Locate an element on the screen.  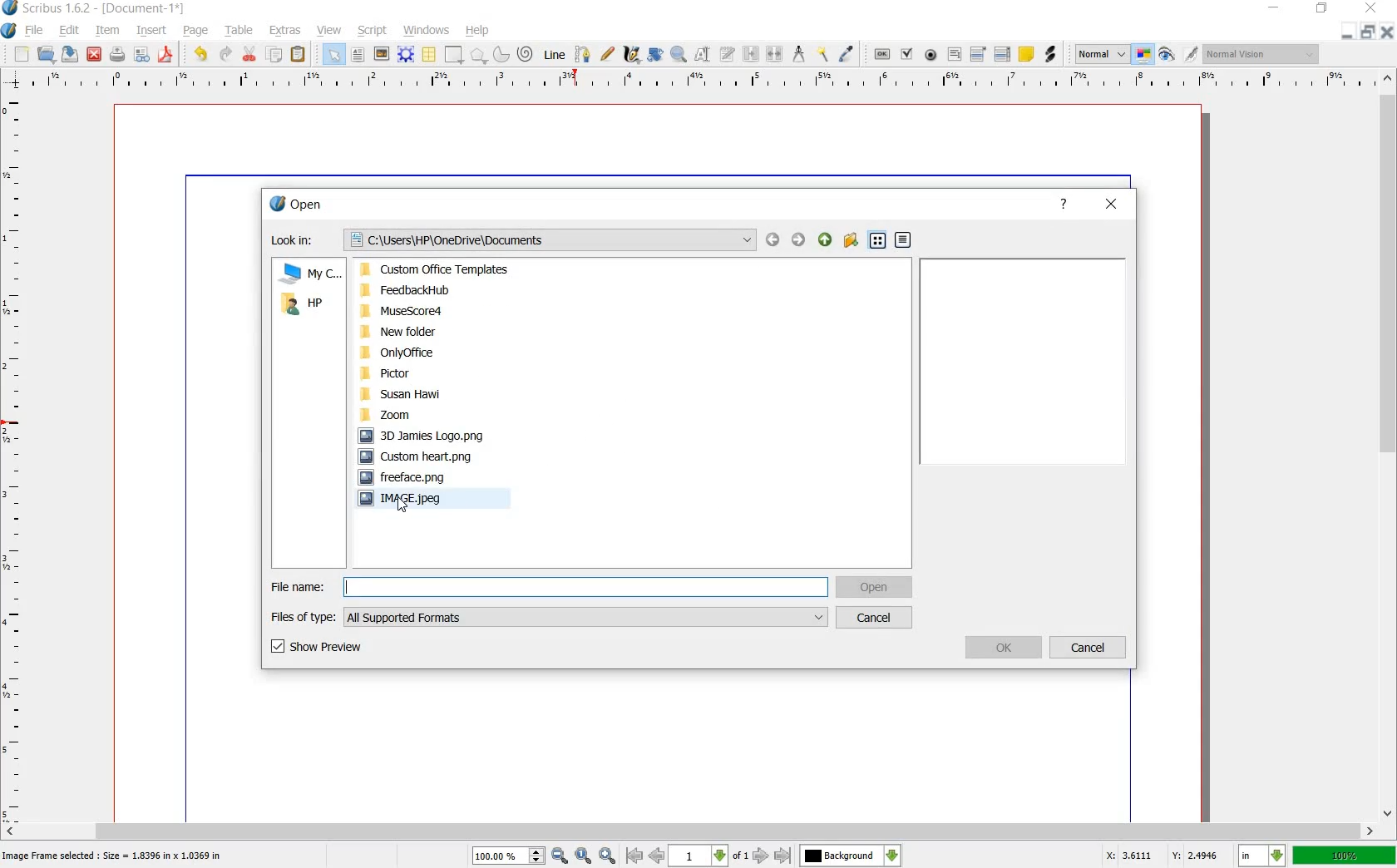
CREATE NEW FOLDER is located at coordinates (850, 242).